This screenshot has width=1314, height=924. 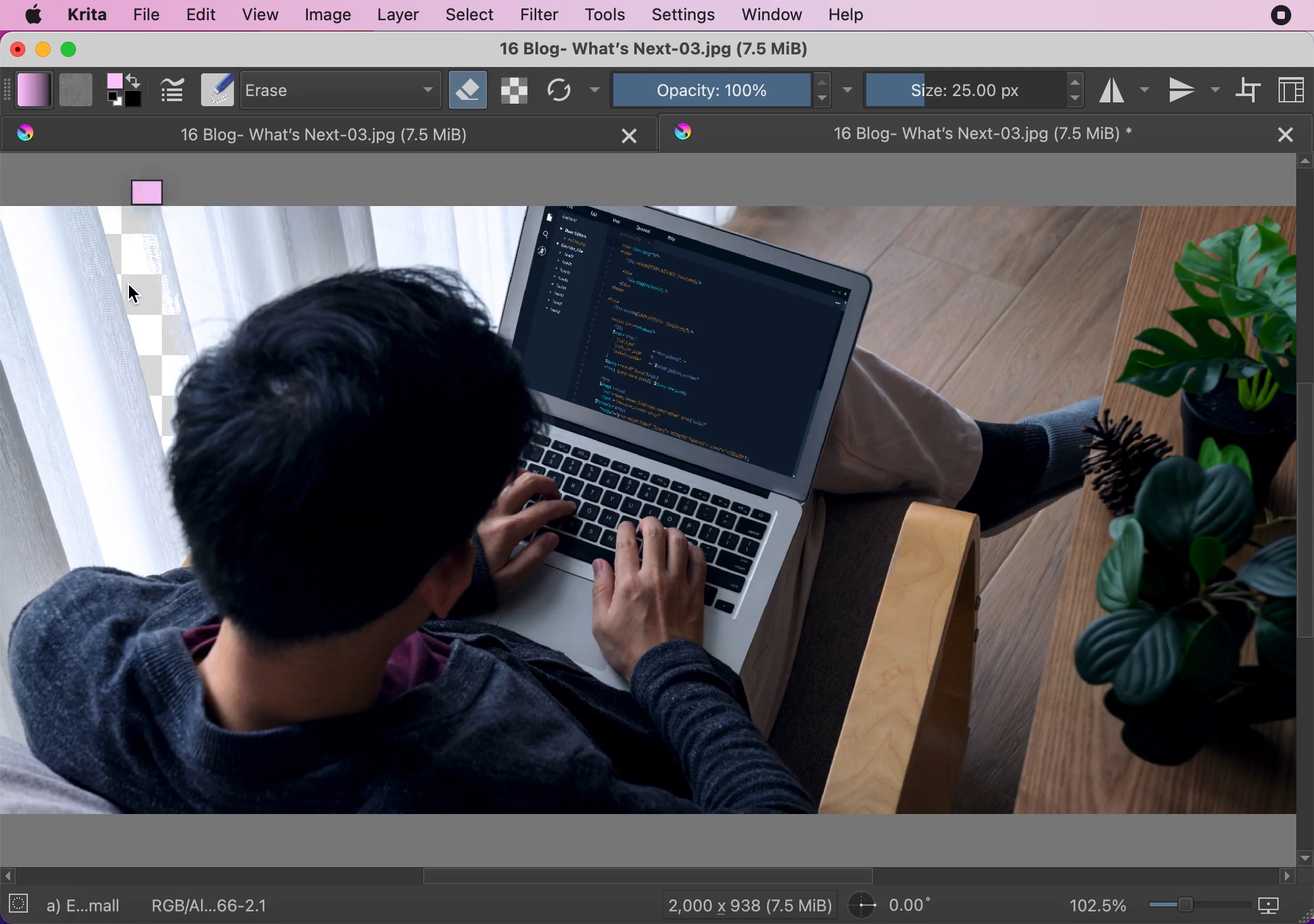 I want to click on 16 Blog- What's Next-03.jpg (7.5 MiB), so click(x=961, y=133).